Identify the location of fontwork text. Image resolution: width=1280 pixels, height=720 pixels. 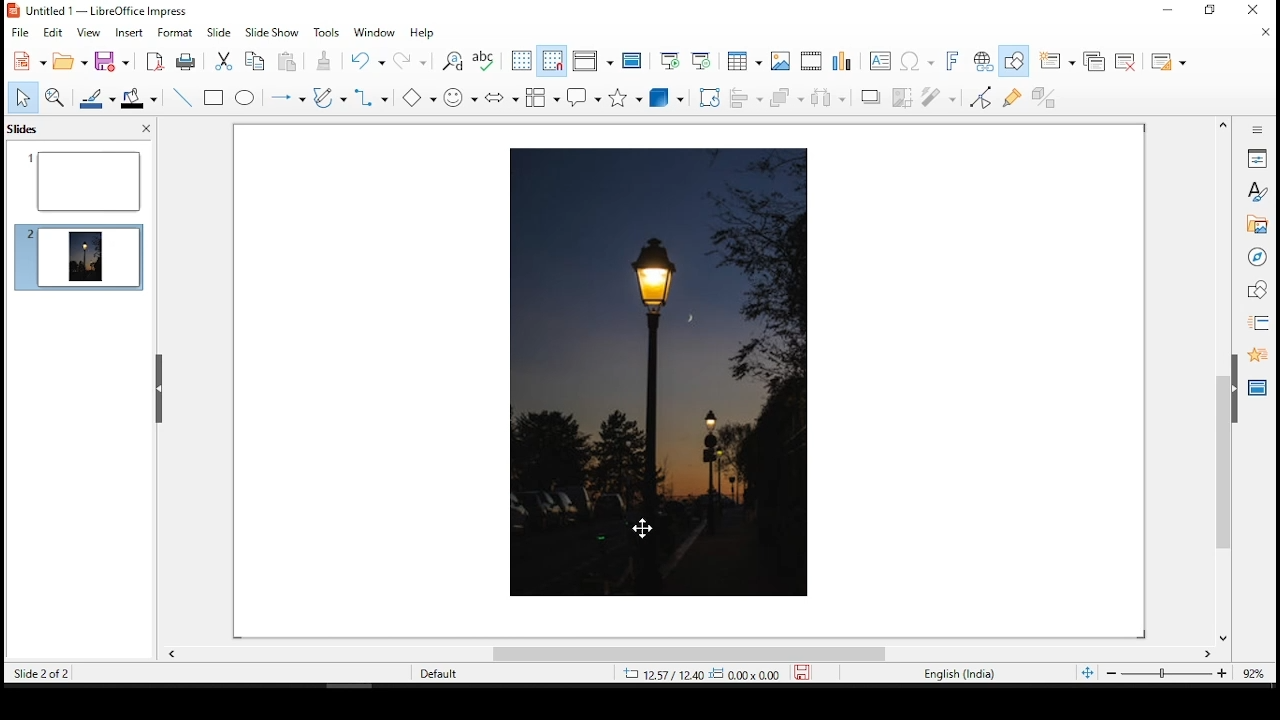
(955, 59).